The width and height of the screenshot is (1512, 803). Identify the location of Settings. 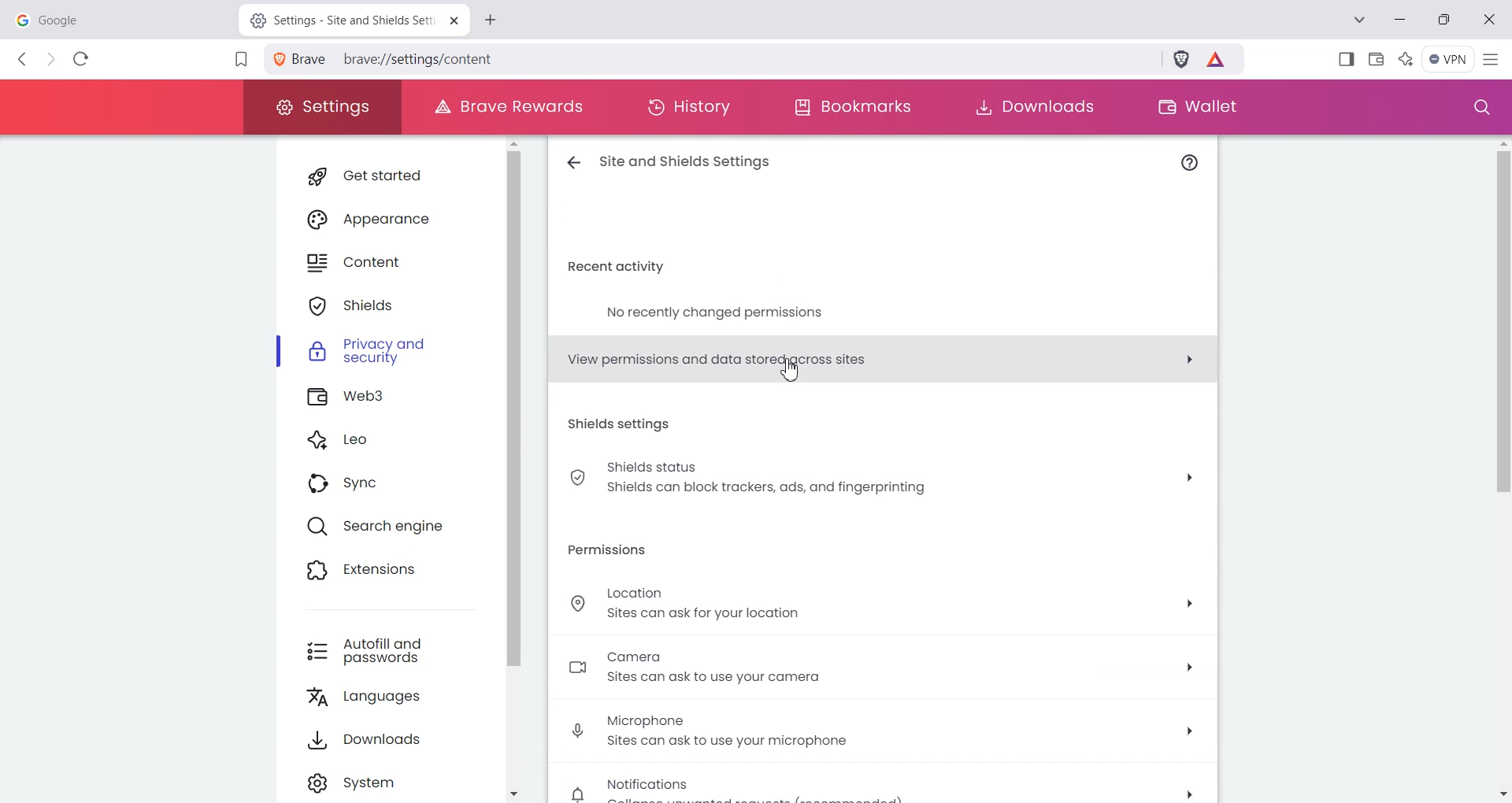
(396, 783).